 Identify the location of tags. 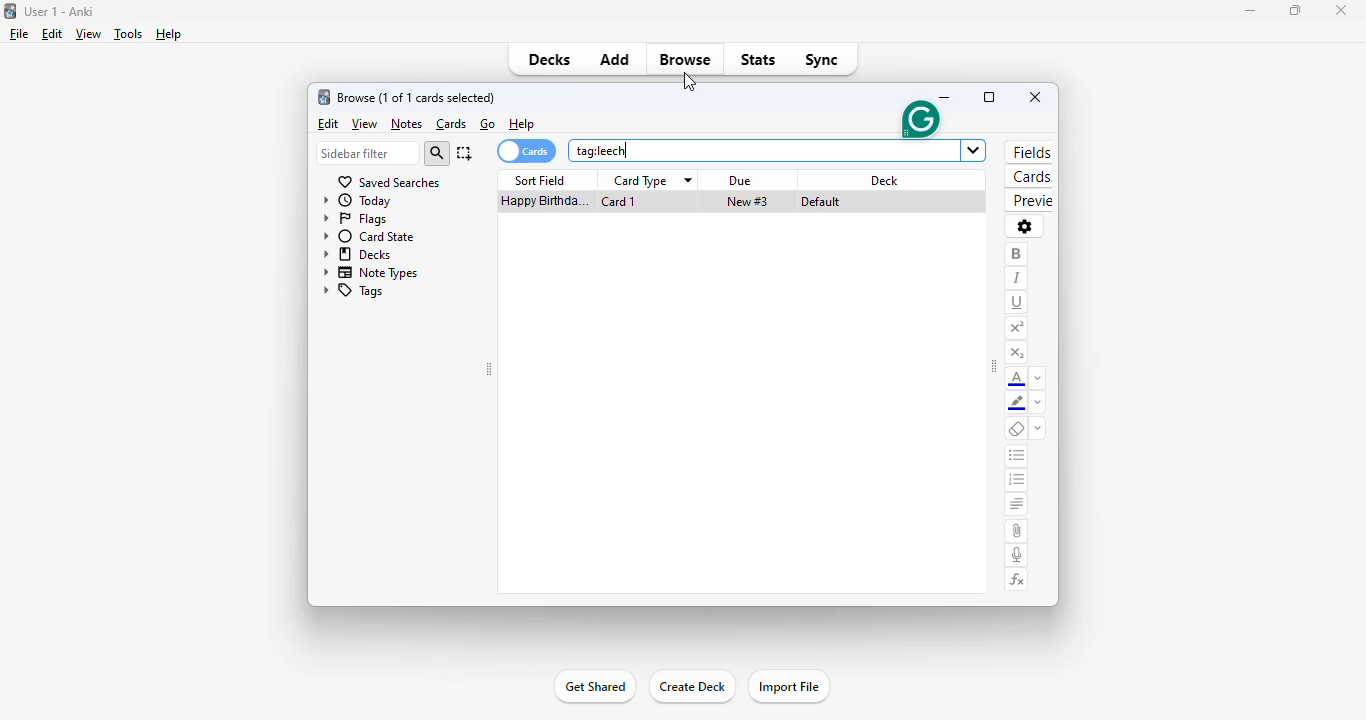
(354, 291).